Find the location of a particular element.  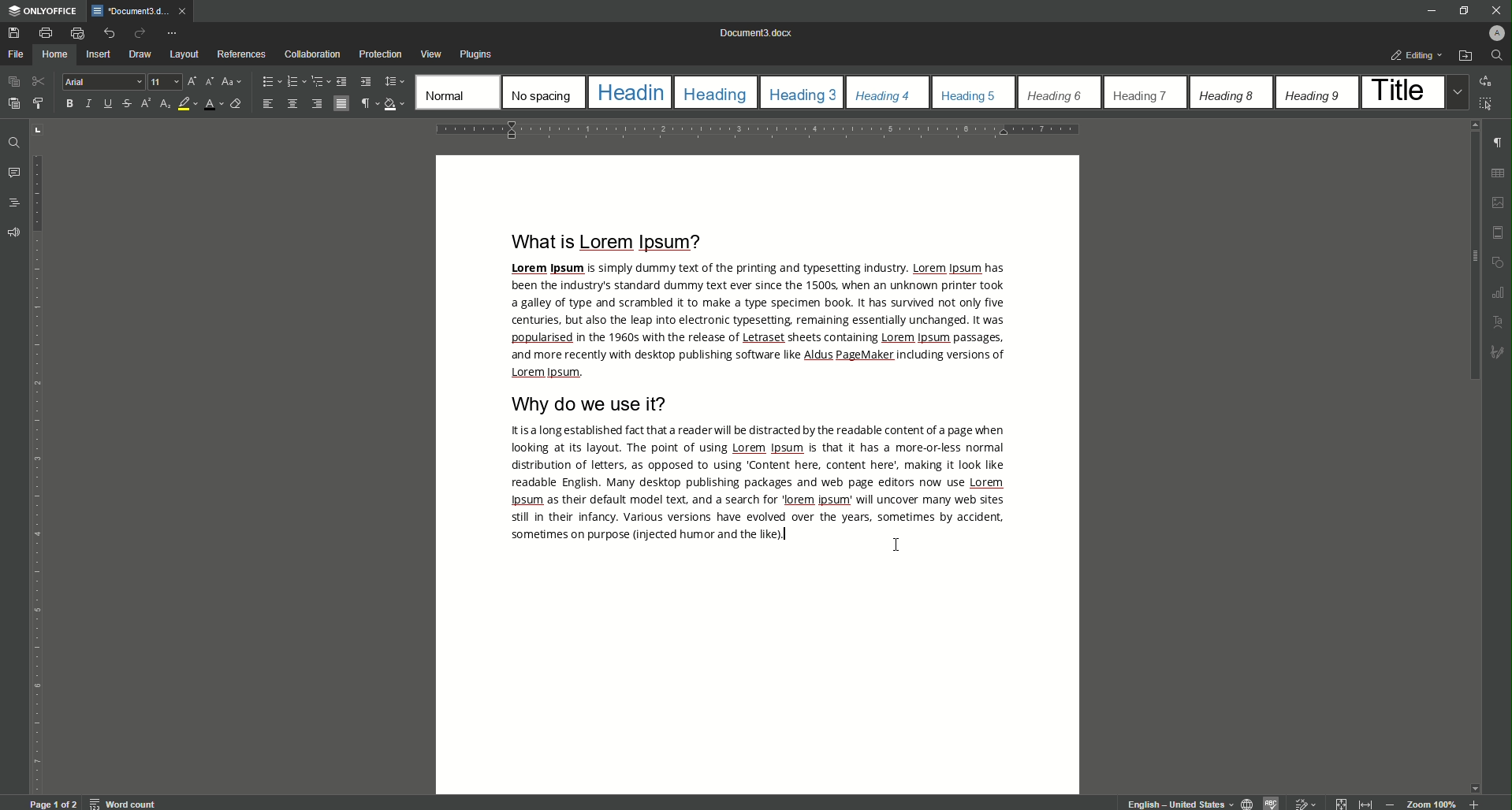

Graphs is located at coordinates (1501, 291).